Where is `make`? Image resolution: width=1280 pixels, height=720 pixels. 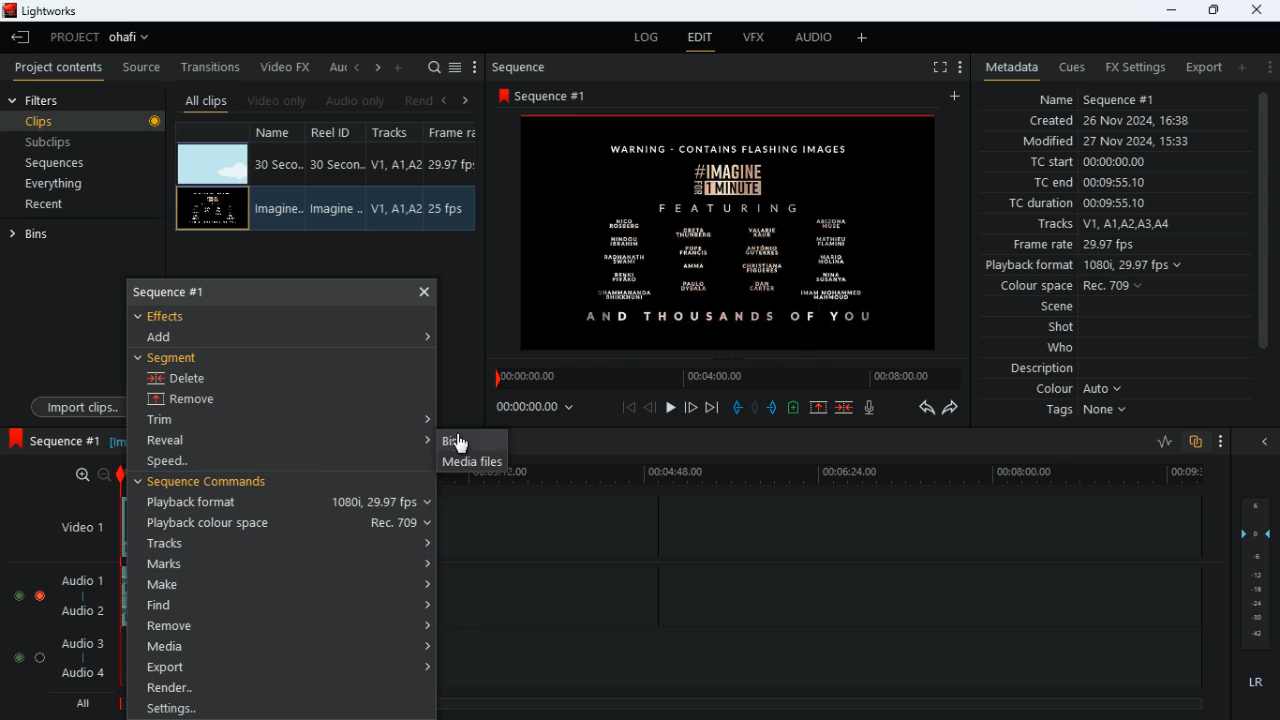
make is located at coordinates (285, 585).